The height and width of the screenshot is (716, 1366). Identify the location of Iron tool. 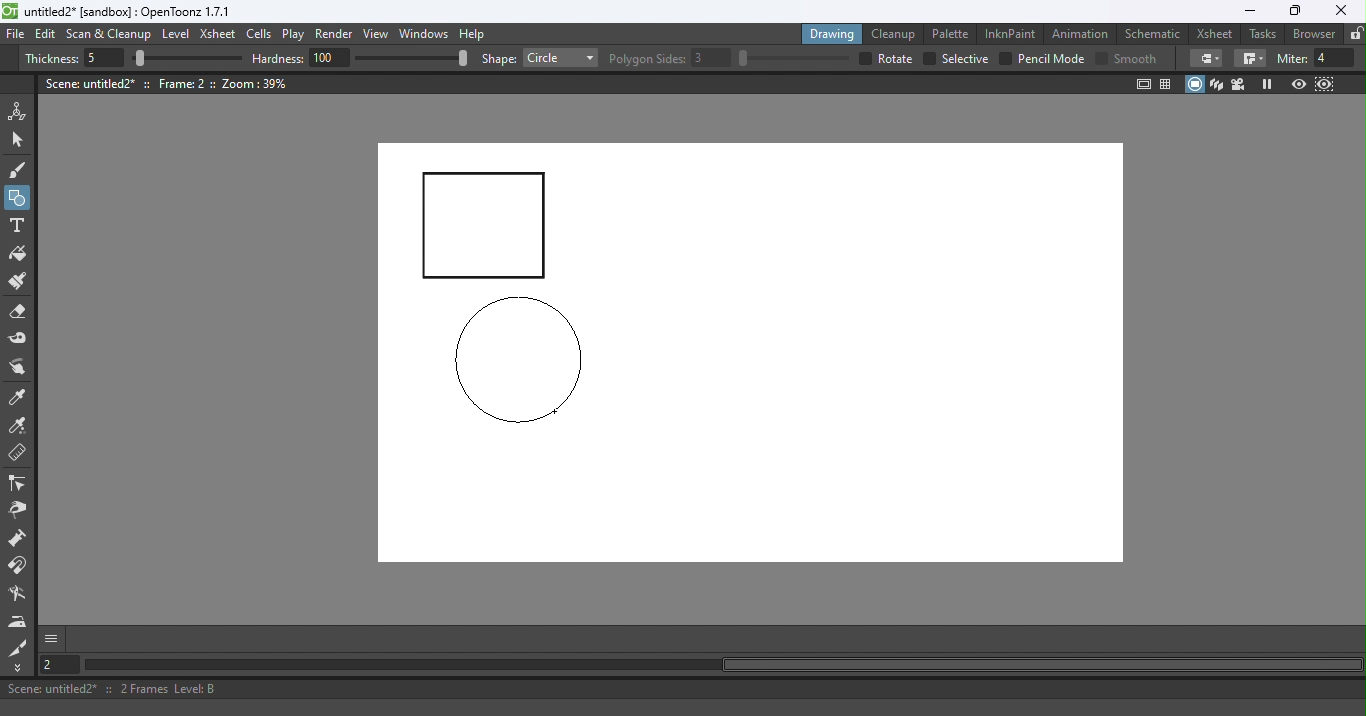
(20, 621).